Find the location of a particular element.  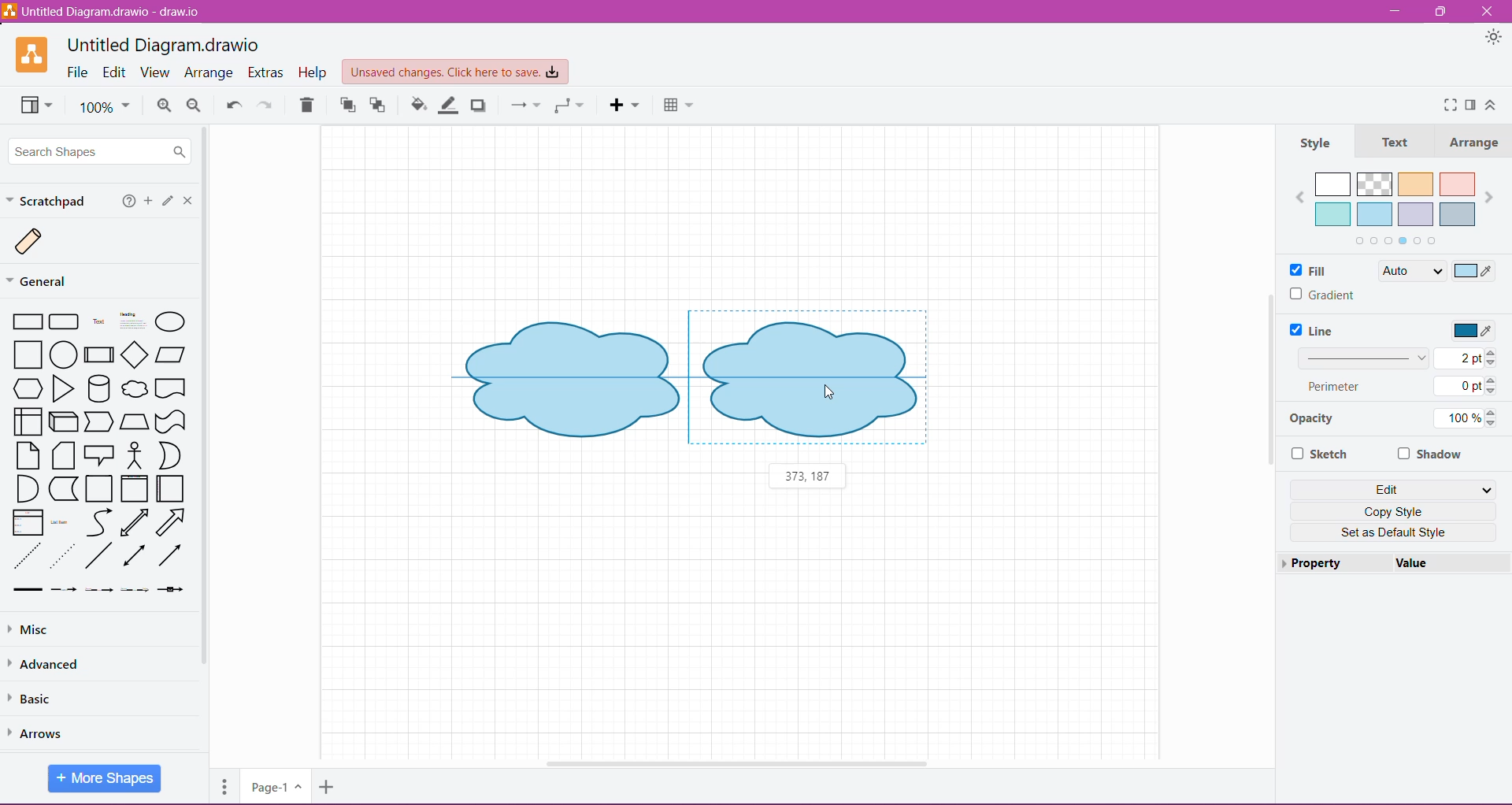

Arrange is located at coordinates (210, 73).